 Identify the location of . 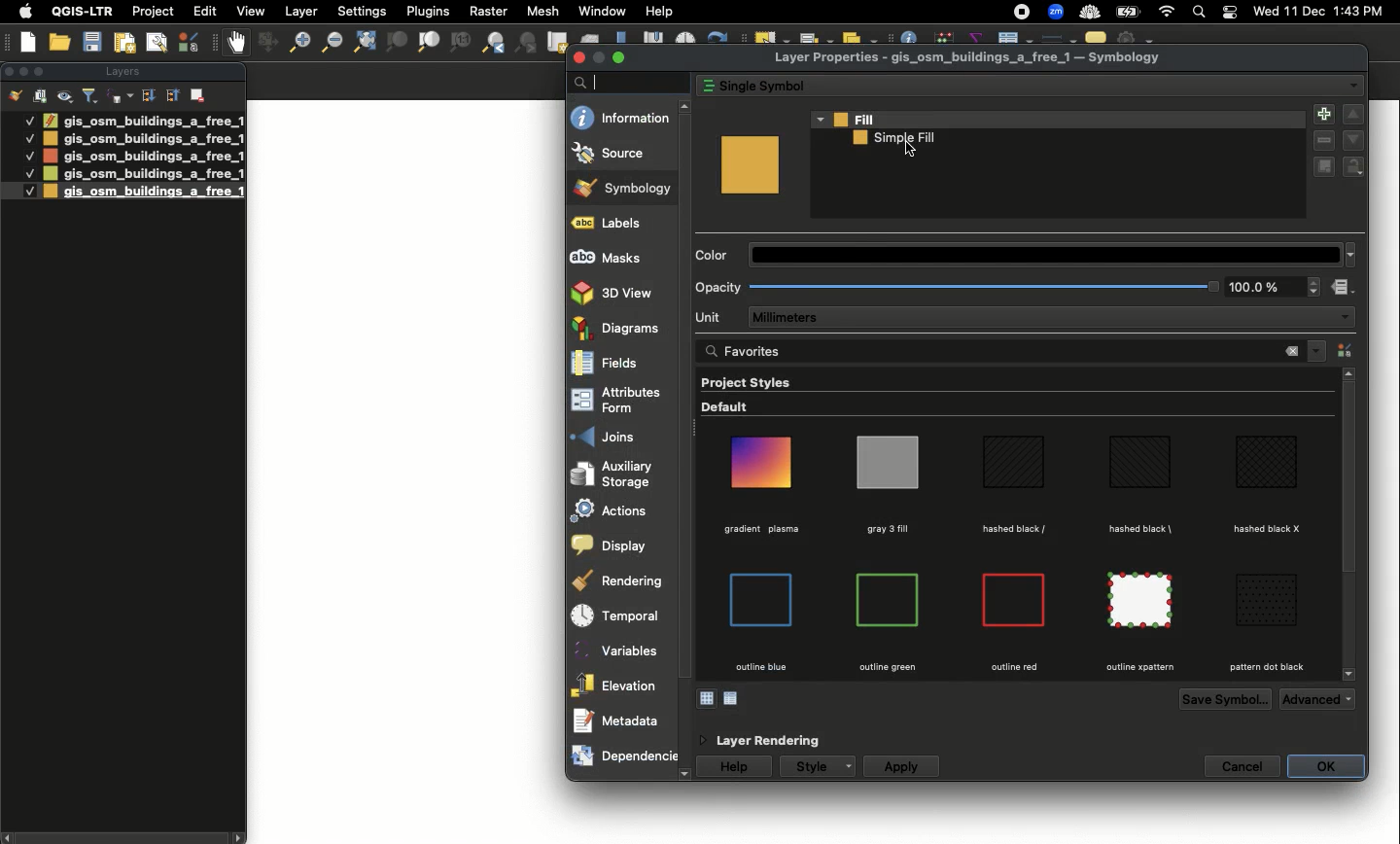
(760, 463).